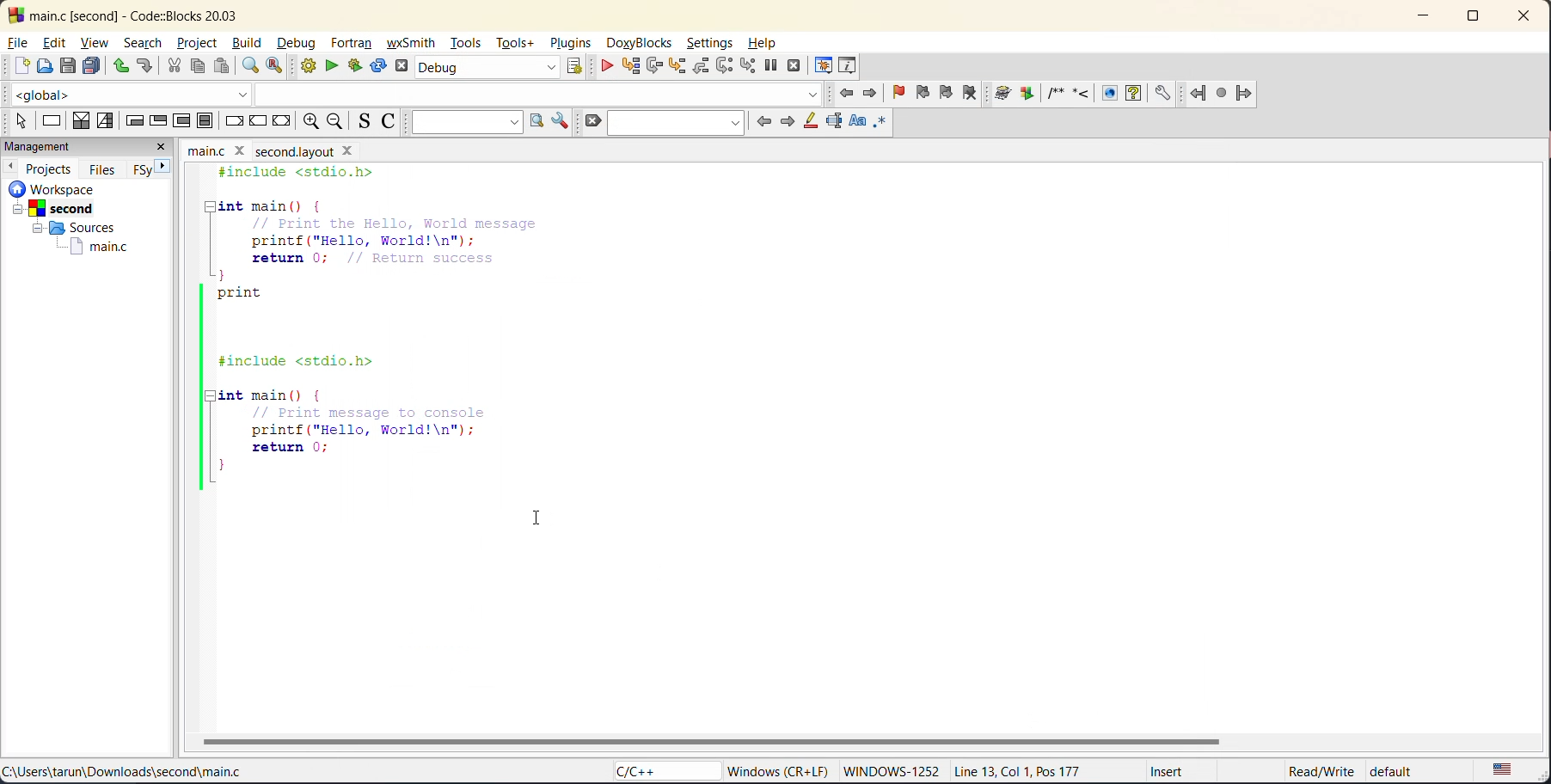 The height and width of the screenshot is (784, 1551). Describe the element at coordinates (781, 770) in the screenshot. I see `metadata` at that location.